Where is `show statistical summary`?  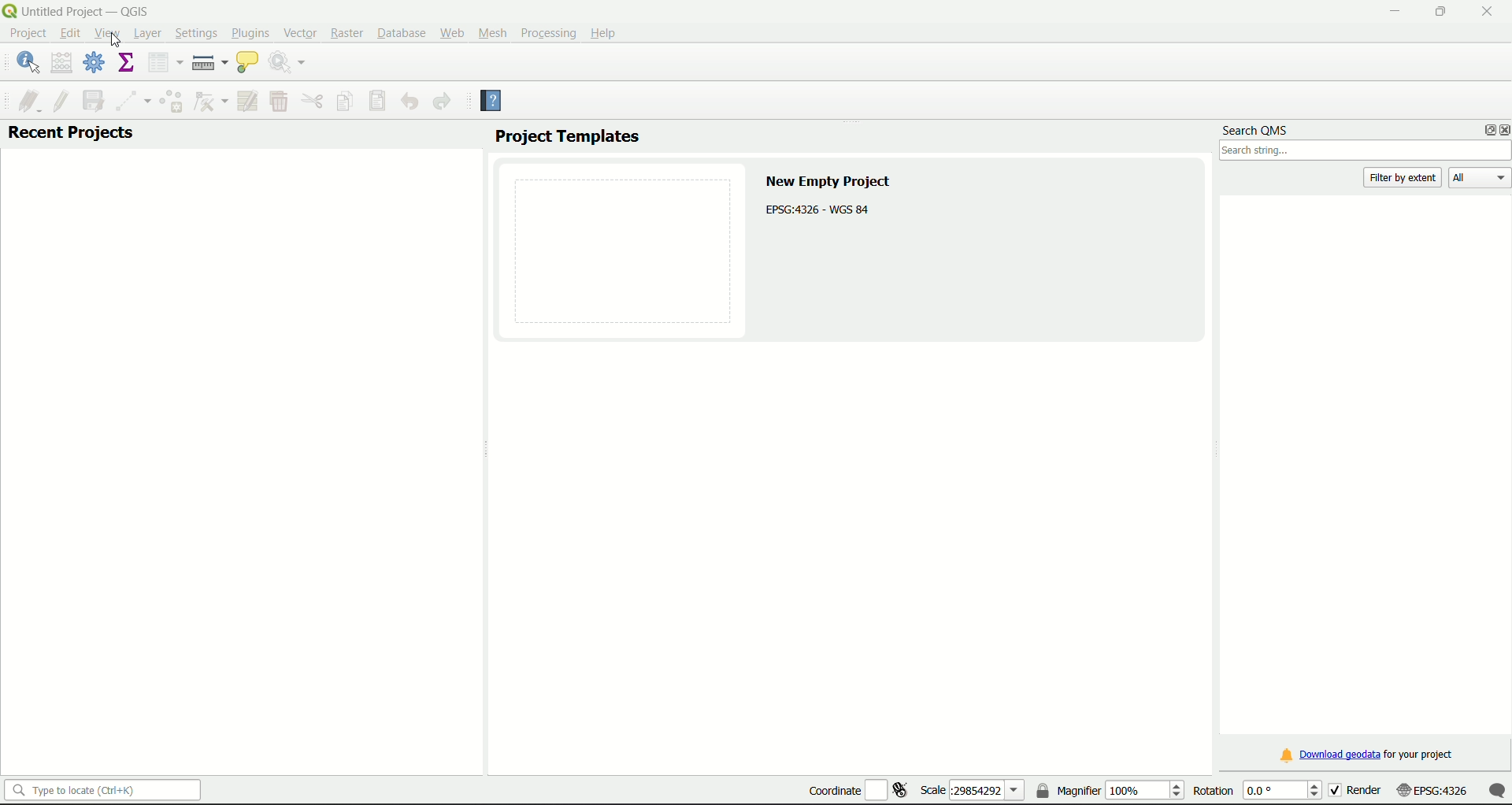
show statistical summary is located at coordinates (124, 63).